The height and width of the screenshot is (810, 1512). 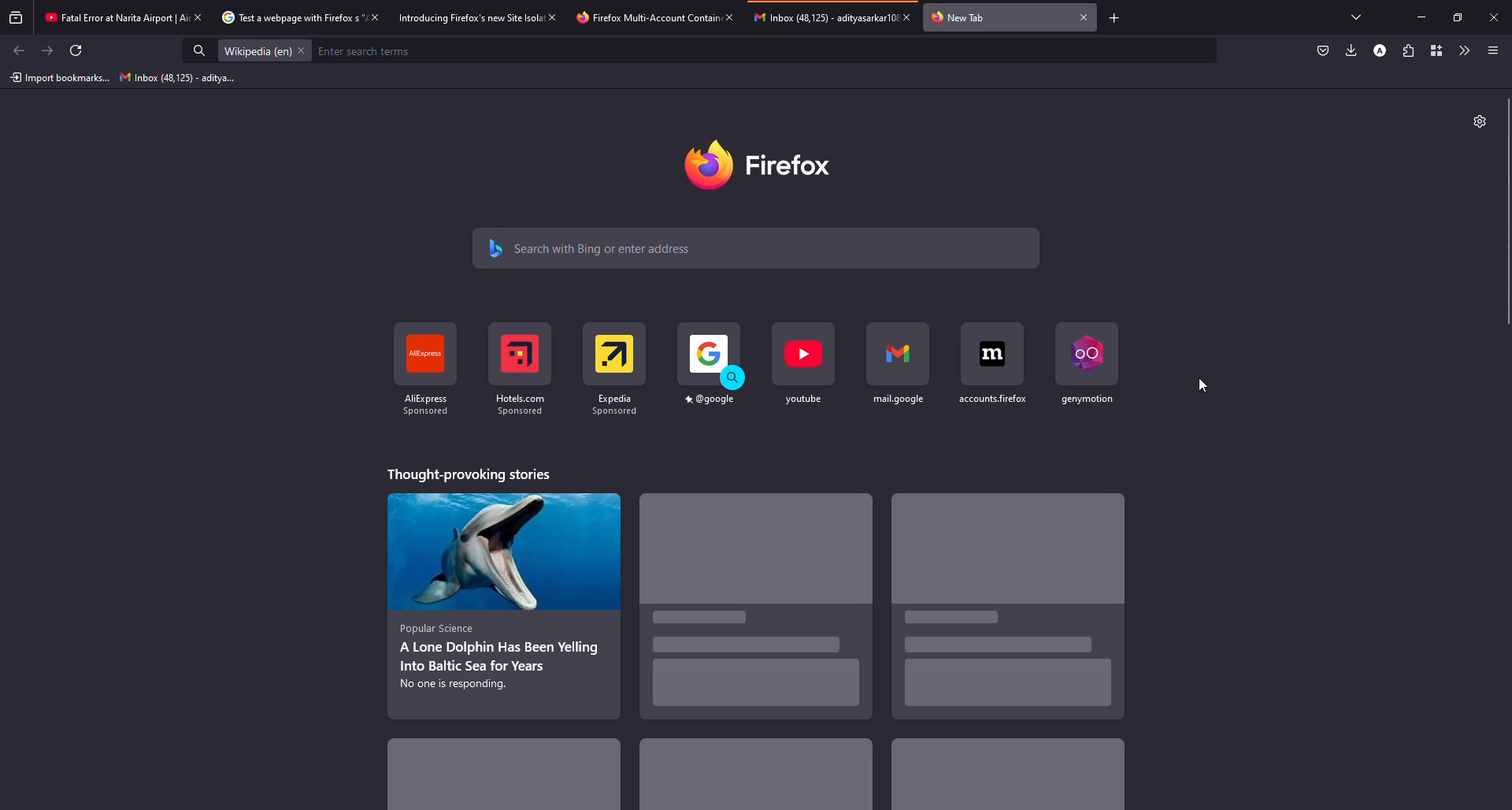 I want to click on close, so click(x=202, y=17).